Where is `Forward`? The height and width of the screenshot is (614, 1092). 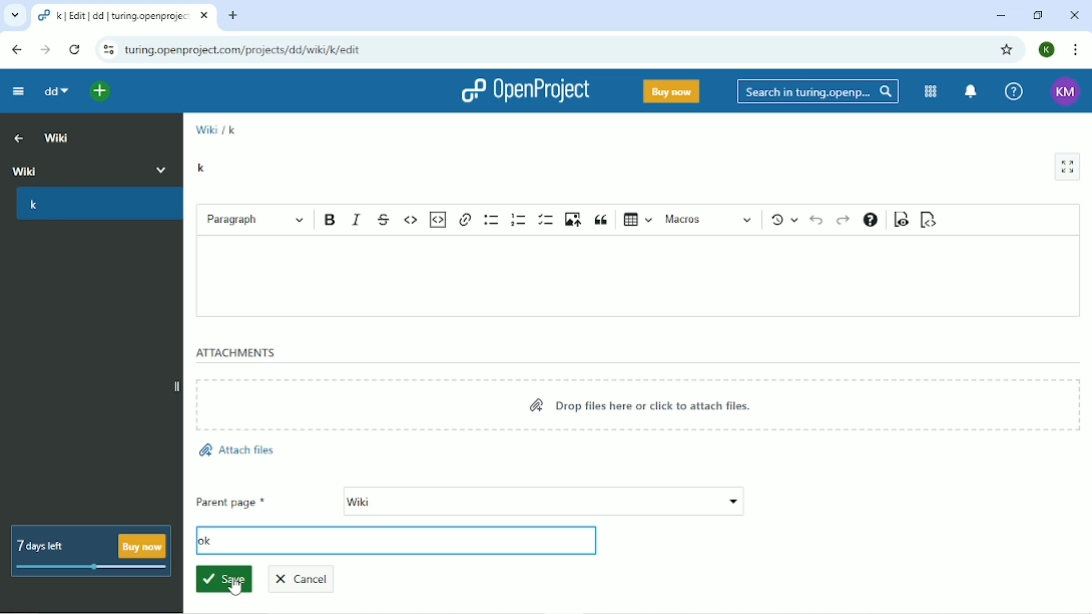 Forward is located at coordinates (46, 49).